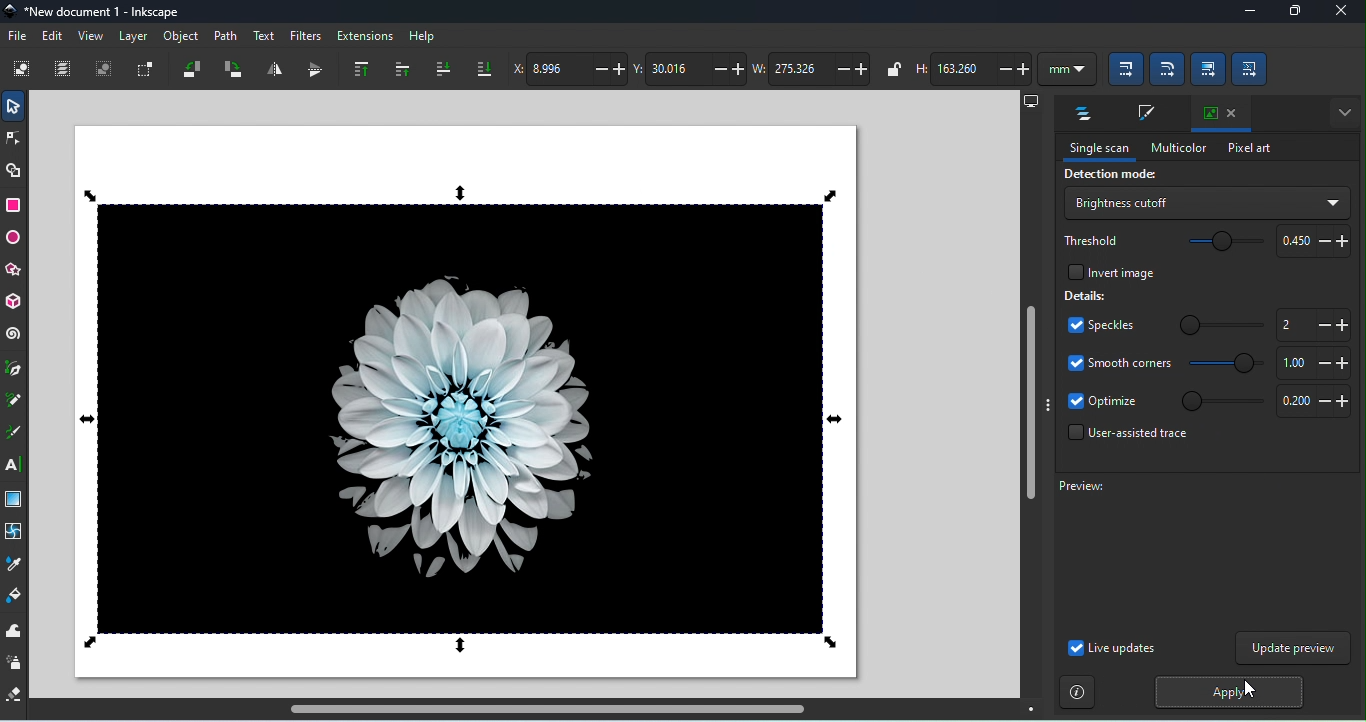 This screenshot has height=722, width=1366. Describe the element at coordinates (15, 564) in the screenshot. I see `Dropper tool` at that location.